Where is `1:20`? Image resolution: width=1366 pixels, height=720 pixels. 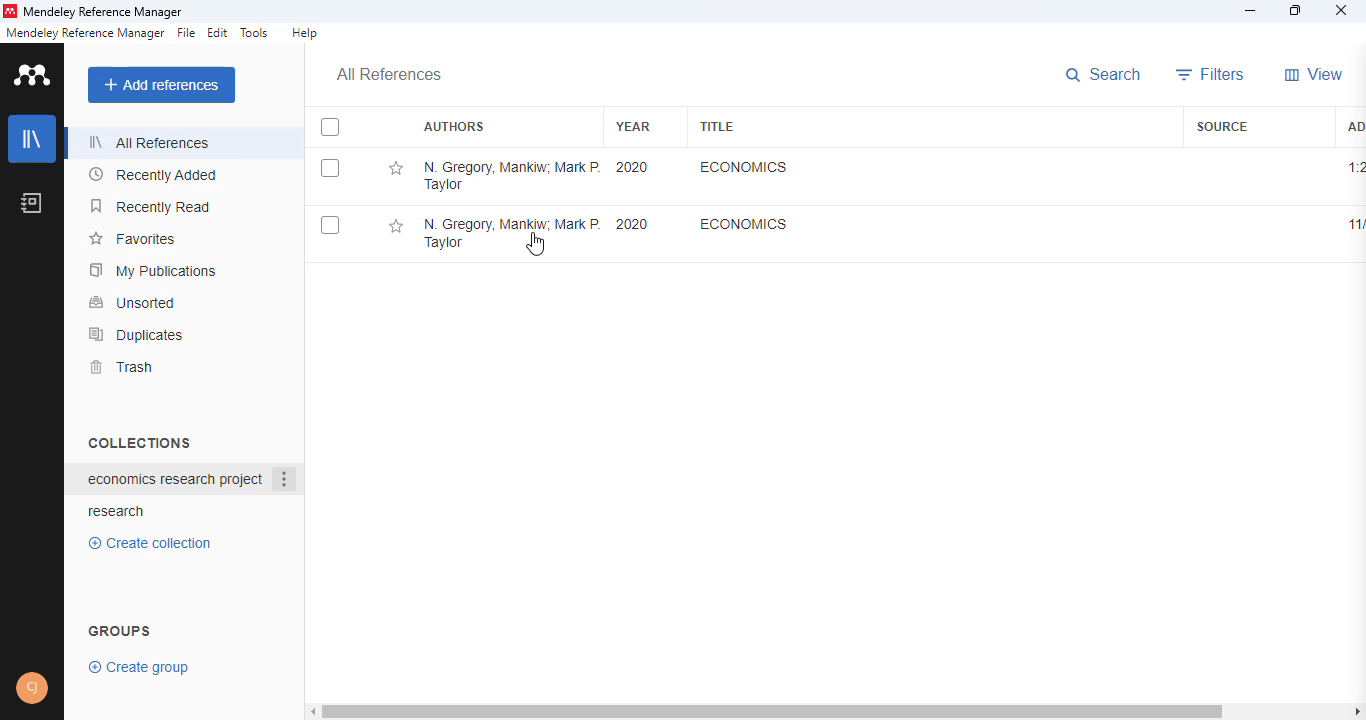 1:20 is located at coordinates (1355, 167).